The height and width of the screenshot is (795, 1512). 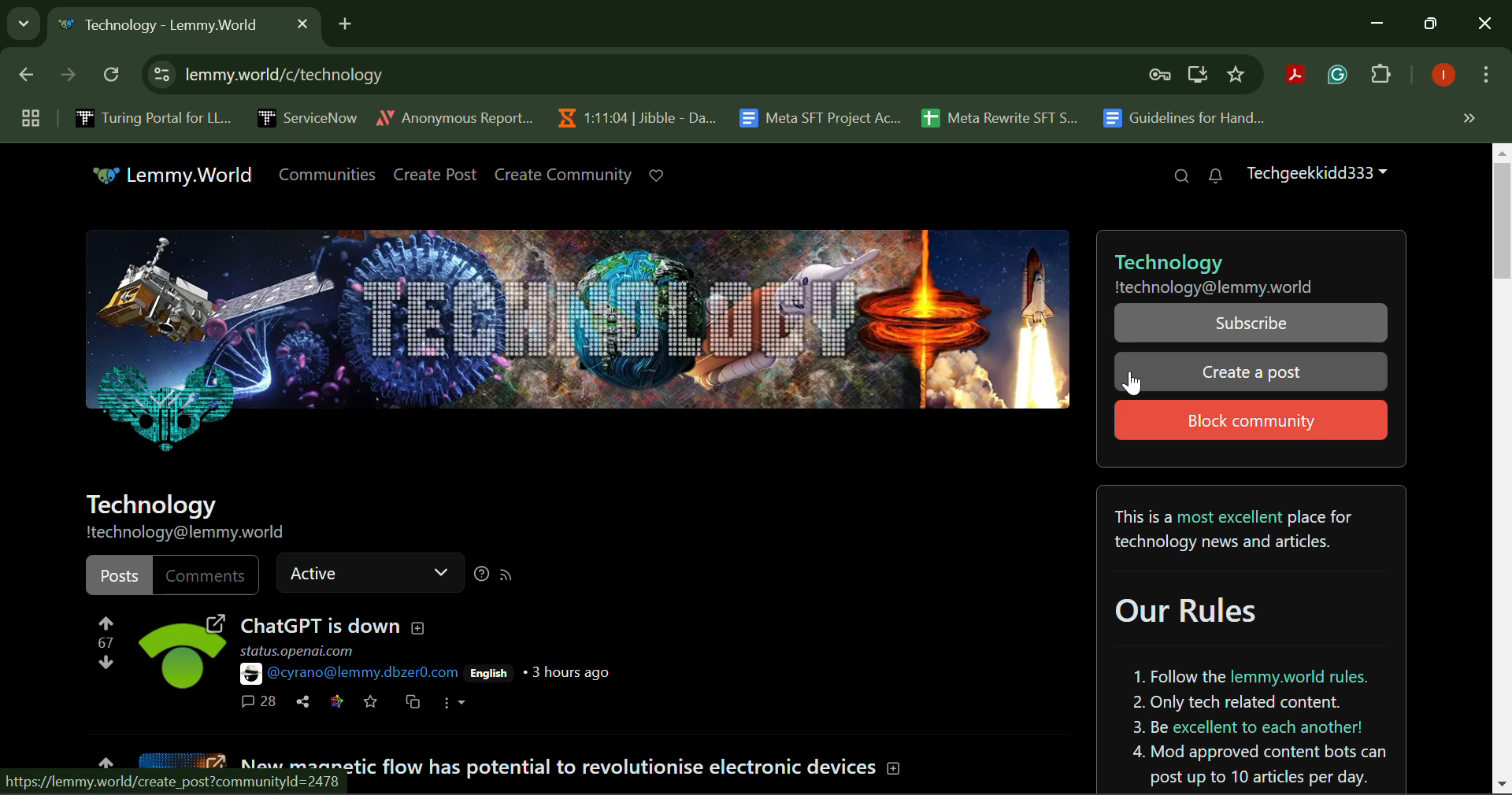 What do you see at coordinates (436, 176) in the screenshot?
I see `Create Post` at bounding box center [436, 176].